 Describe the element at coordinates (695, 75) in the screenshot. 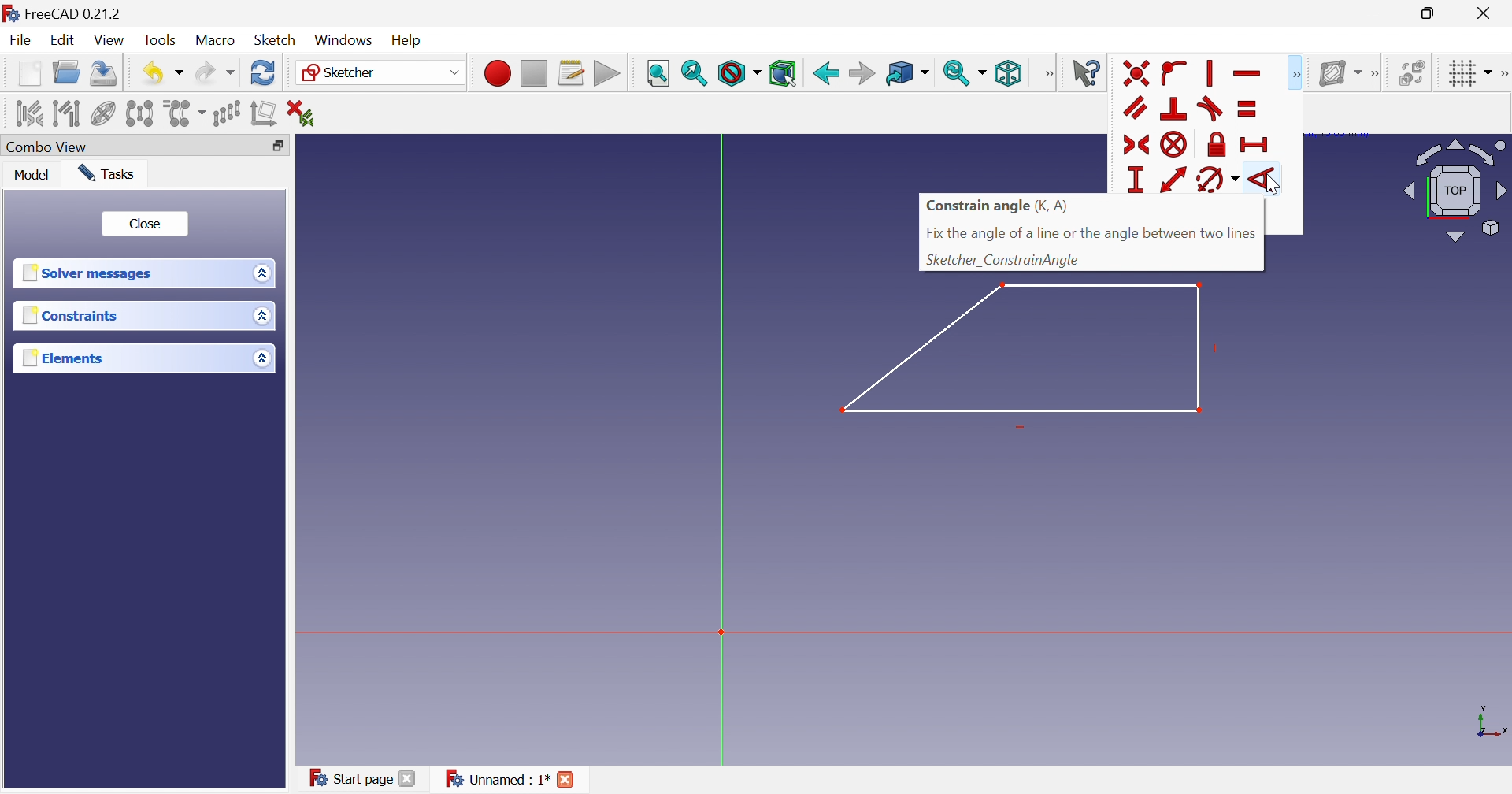

I see `Fit selection` at that location.